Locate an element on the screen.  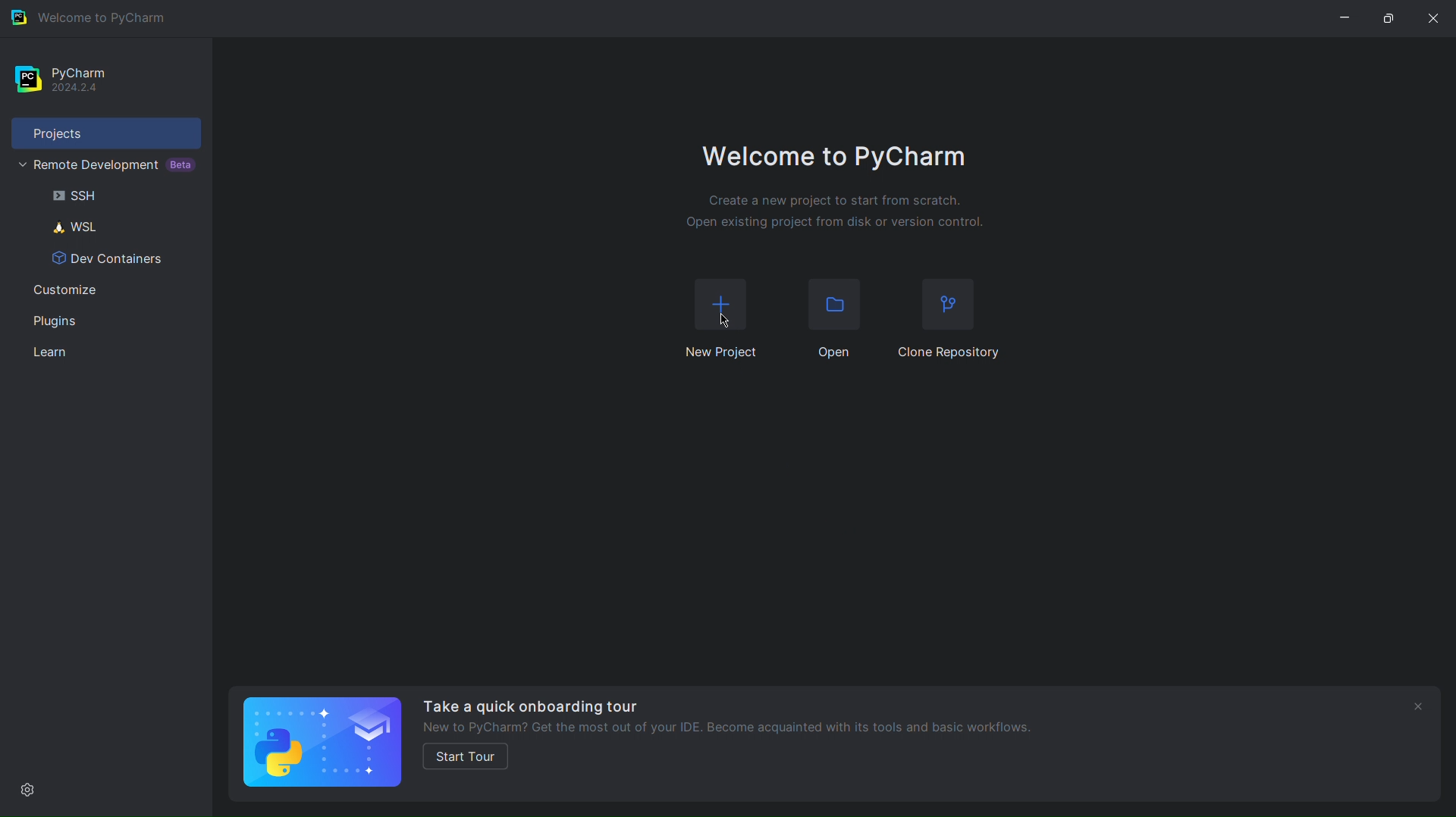
WSL is located at coordinates (105, 231).